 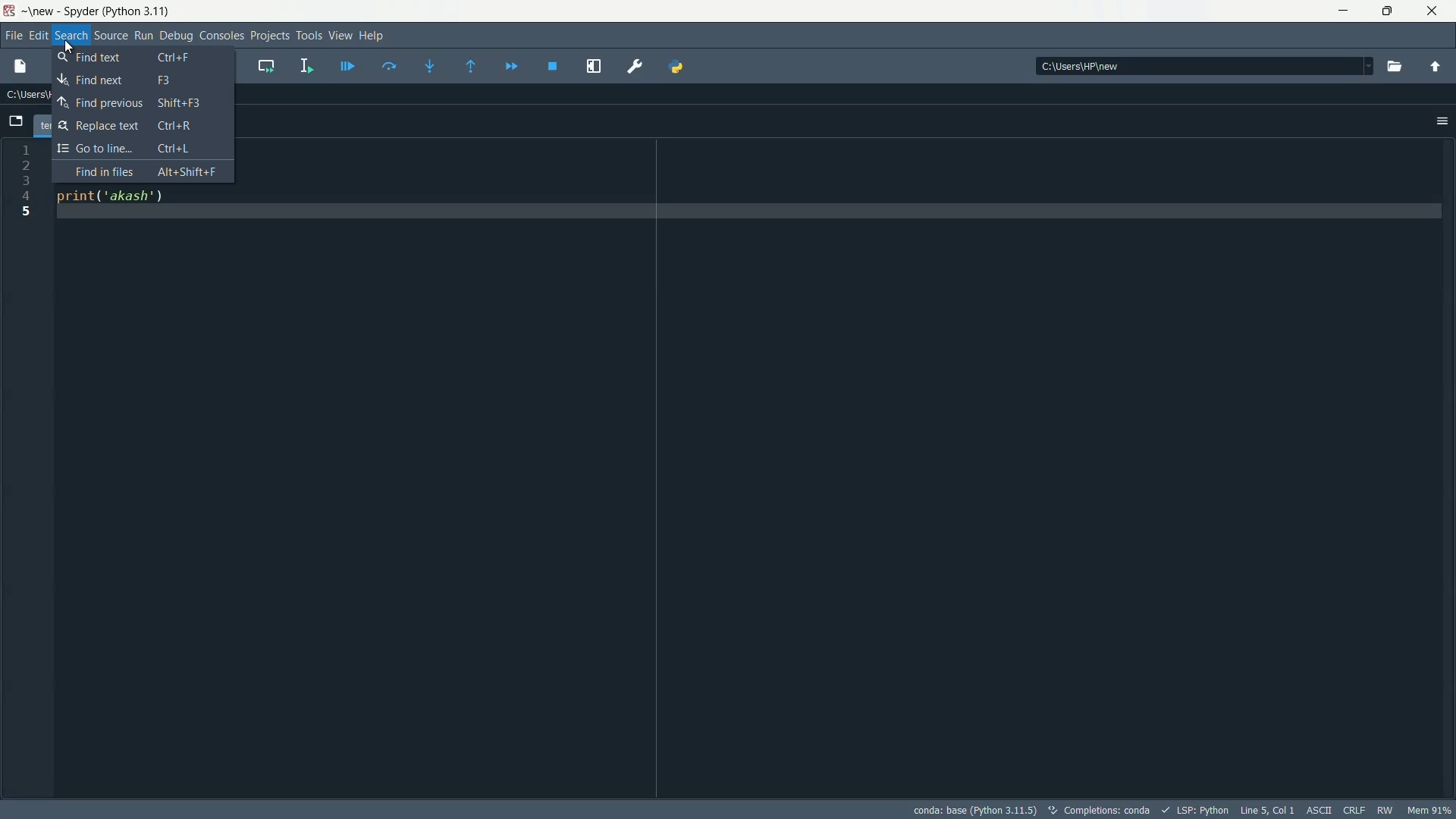 What do you see at coordinates (973, 811) in the screenshot?
I see `conda: base (Python 3.11)` at bounding box center [973, 811].